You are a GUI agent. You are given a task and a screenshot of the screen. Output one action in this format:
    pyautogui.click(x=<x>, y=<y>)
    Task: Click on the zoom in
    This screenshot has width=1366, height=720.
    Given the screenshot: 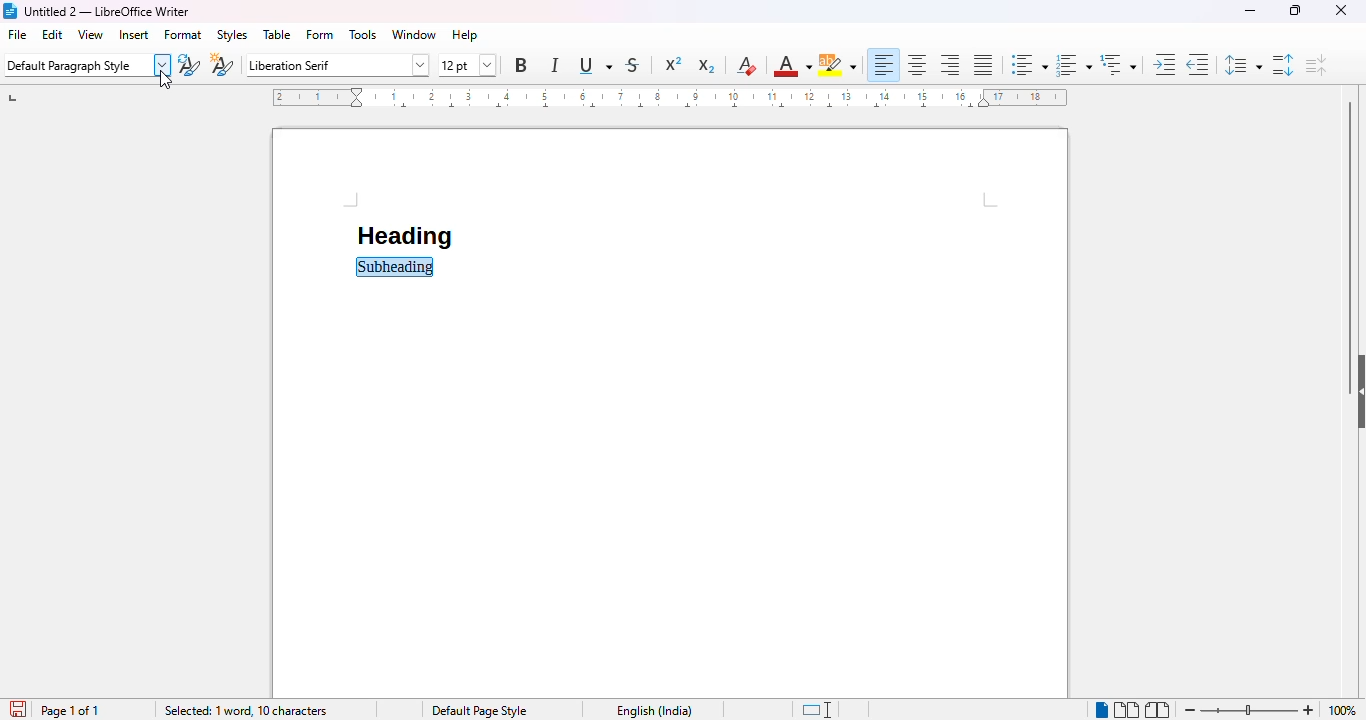 What is the action you would take?
    pyautogui.click(x=1308, y=710)
    